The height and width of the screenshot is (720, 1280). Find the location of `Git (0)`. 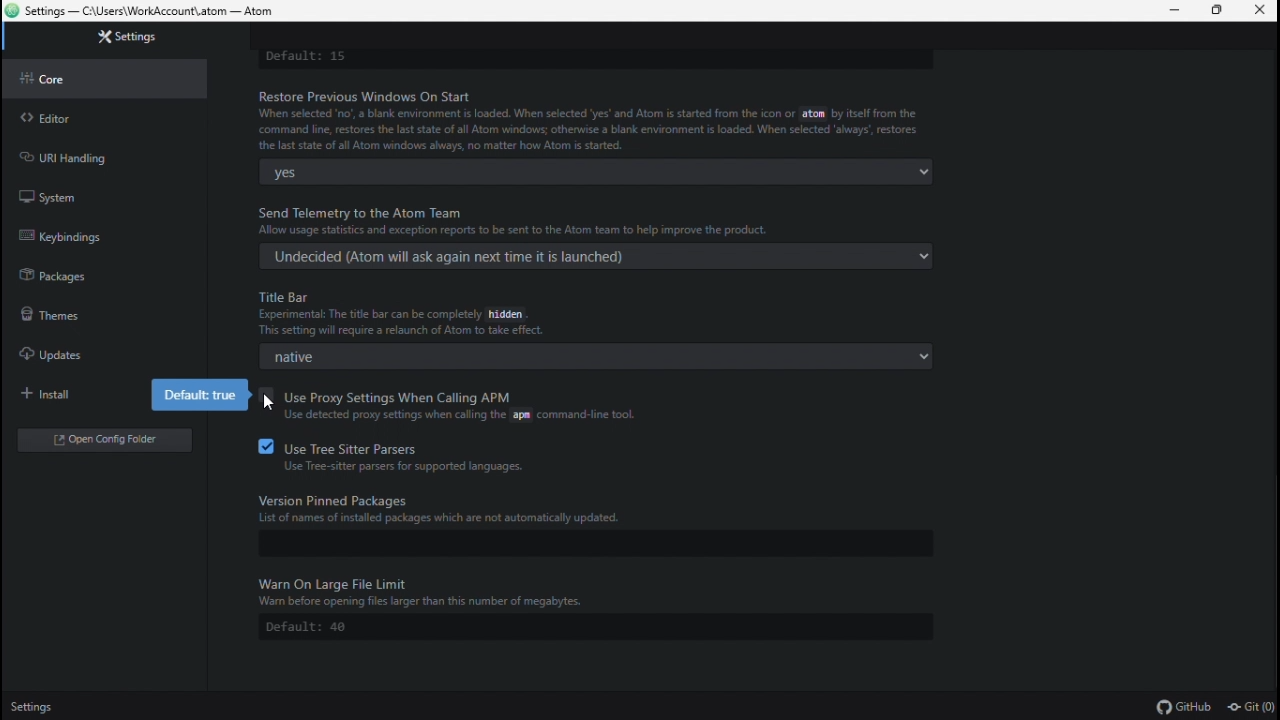

Git (0) is located at coordinates (1250, 707).